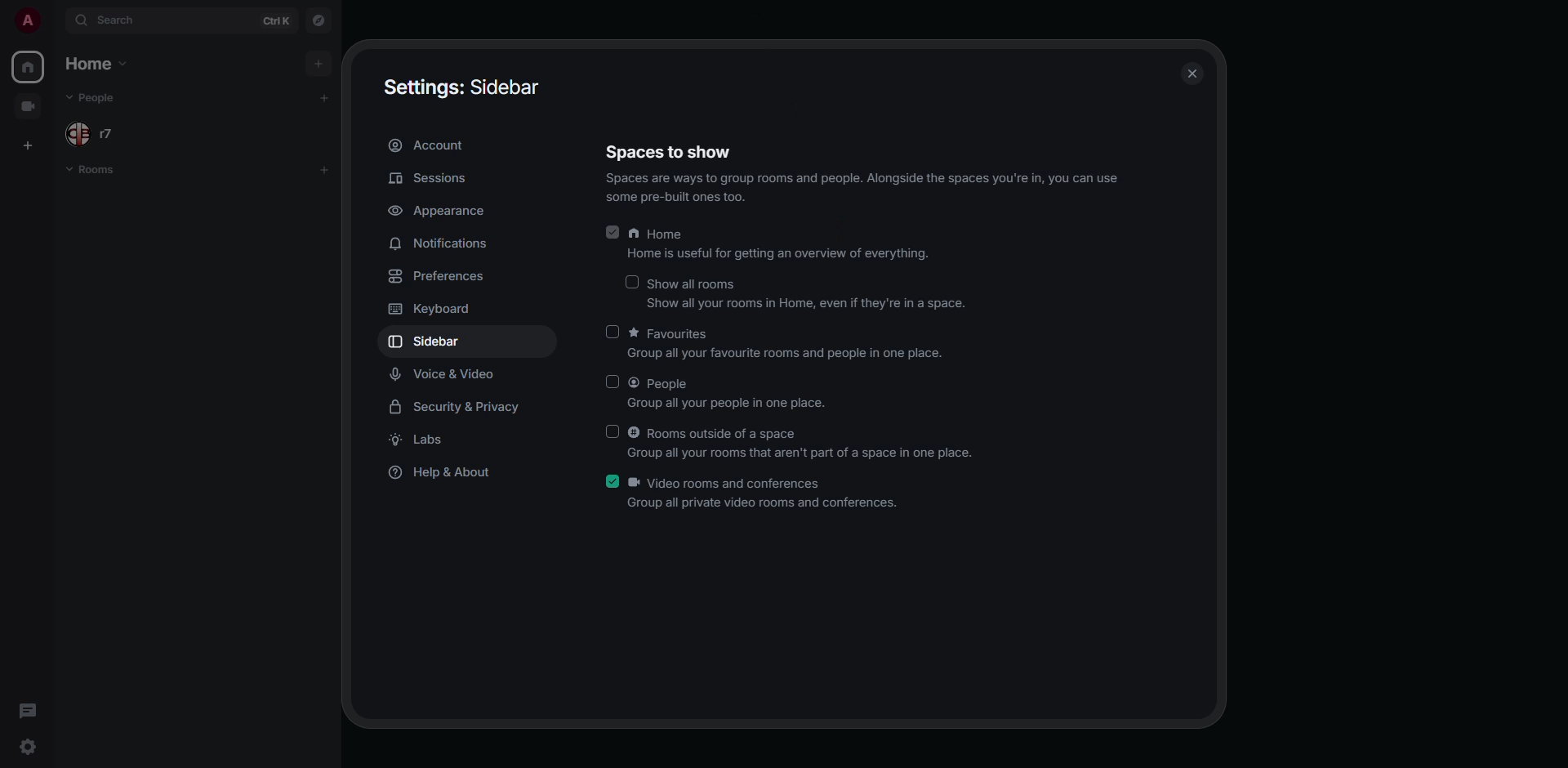  I want to click on preferences, so click(436, 276).